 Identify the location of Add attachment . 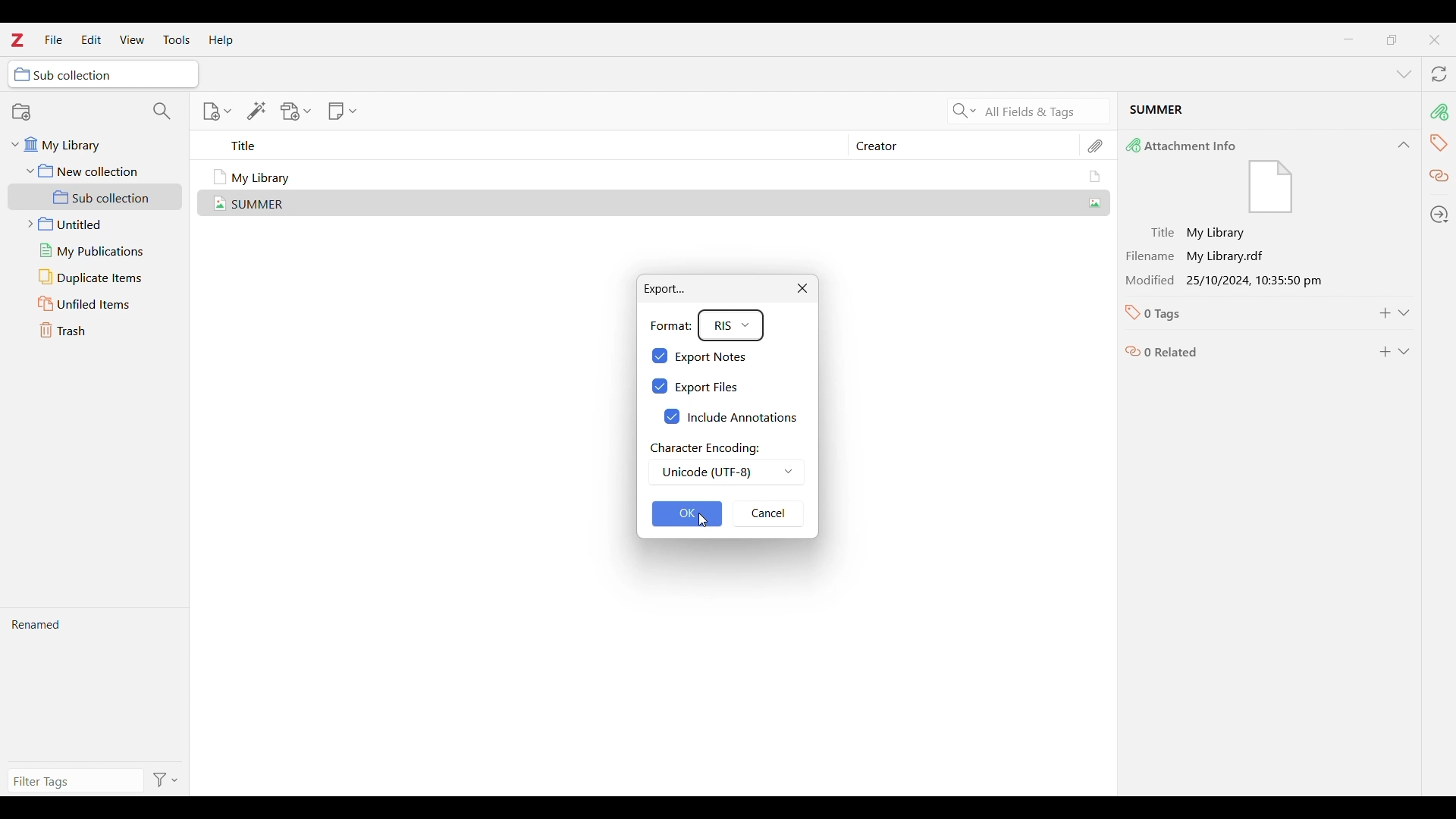
(297, 111).